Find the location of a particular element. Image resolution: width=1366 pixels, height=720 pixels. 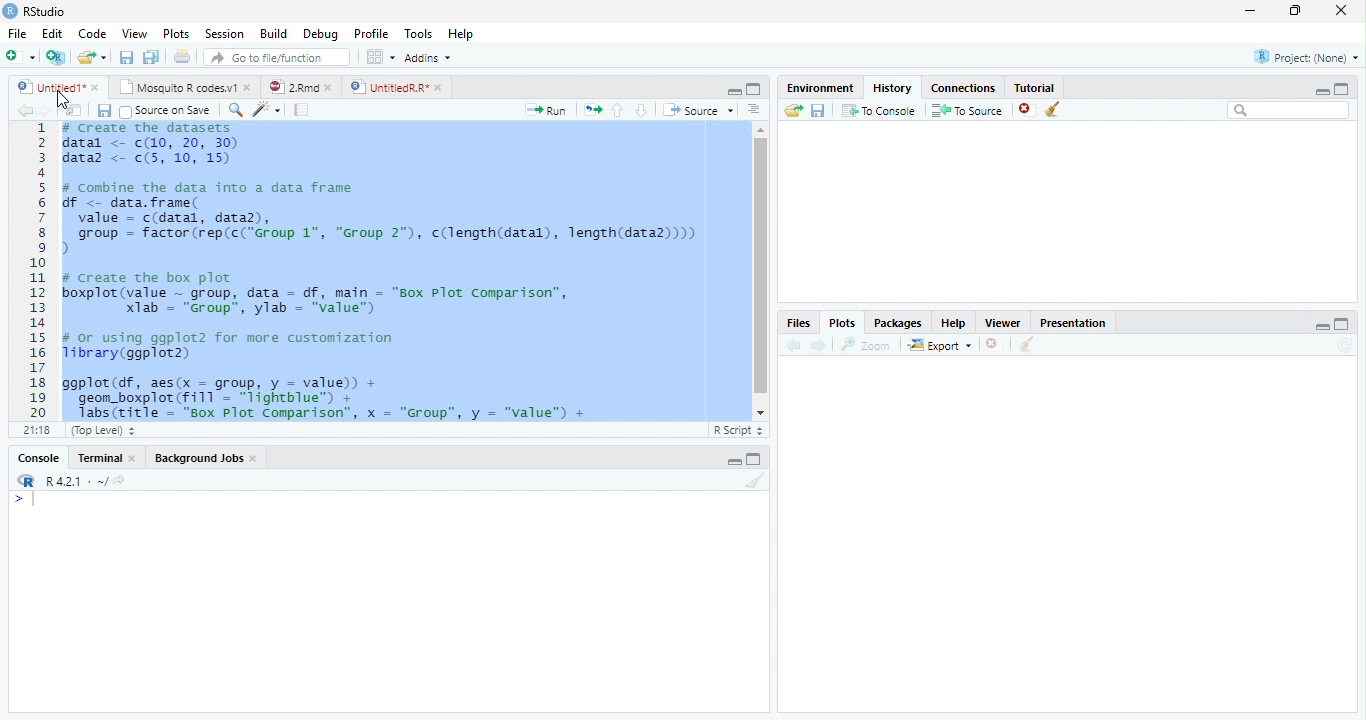

Session is located at coordinates (222, 33).